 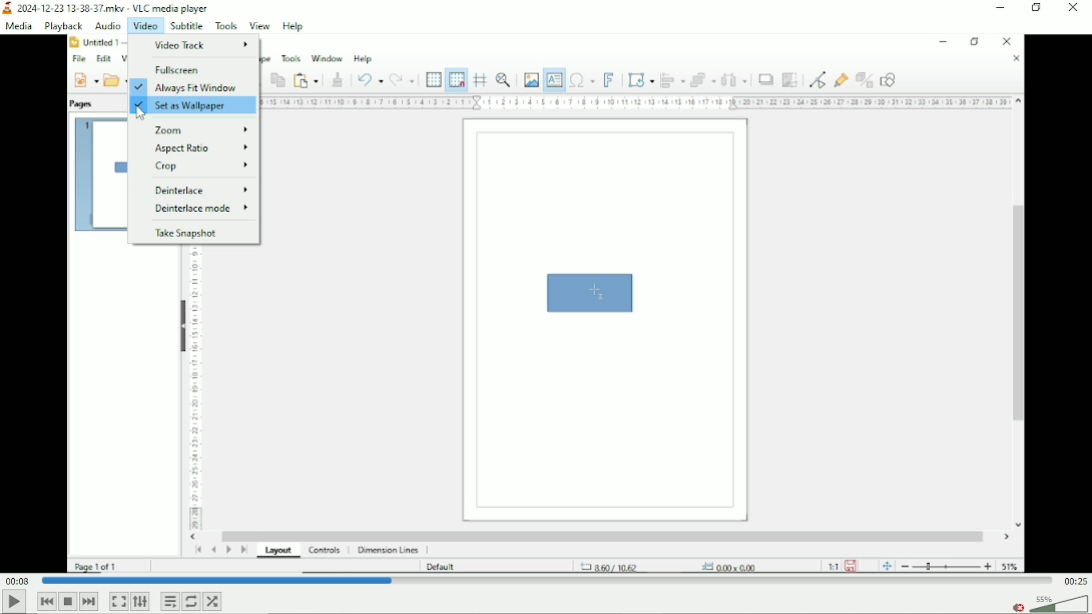 I want to click on Minimize, so click(x=1001, y=7).